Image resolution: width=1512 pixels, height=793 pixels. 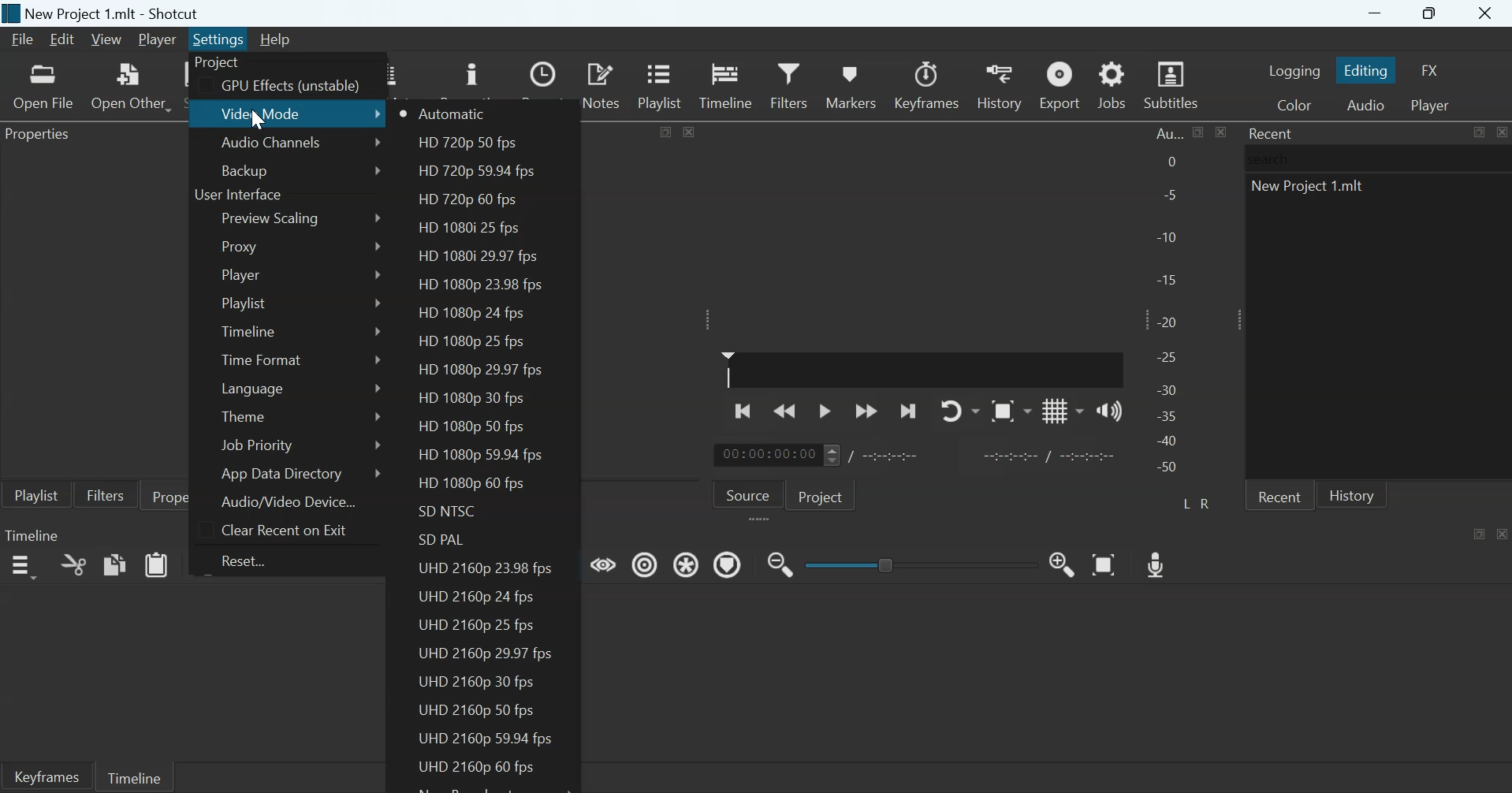 I want to click on close, so click(x=689, y=131).